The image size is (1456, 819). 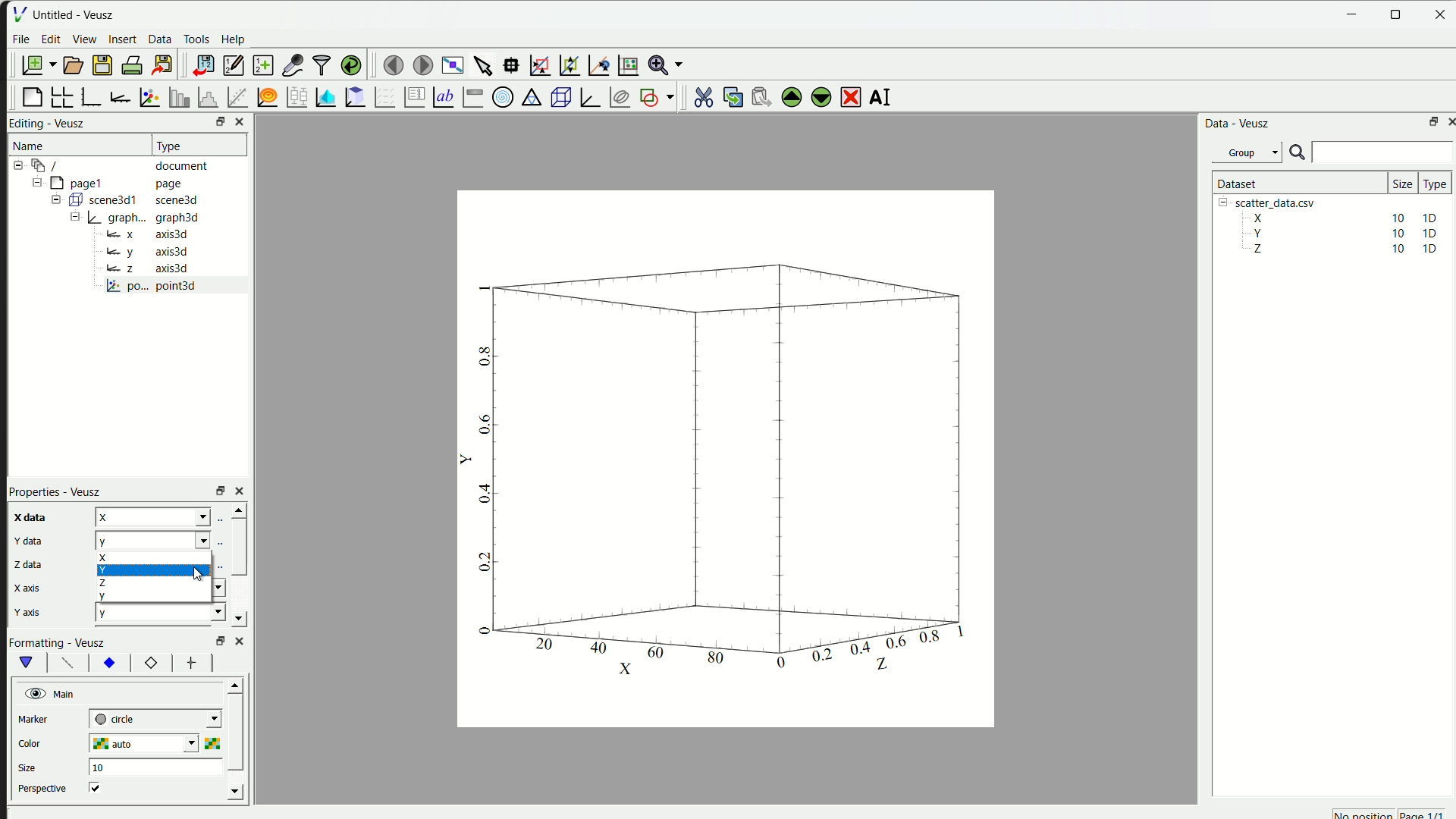 I want to click on move down the selected widget, so click(x=820, y=99).